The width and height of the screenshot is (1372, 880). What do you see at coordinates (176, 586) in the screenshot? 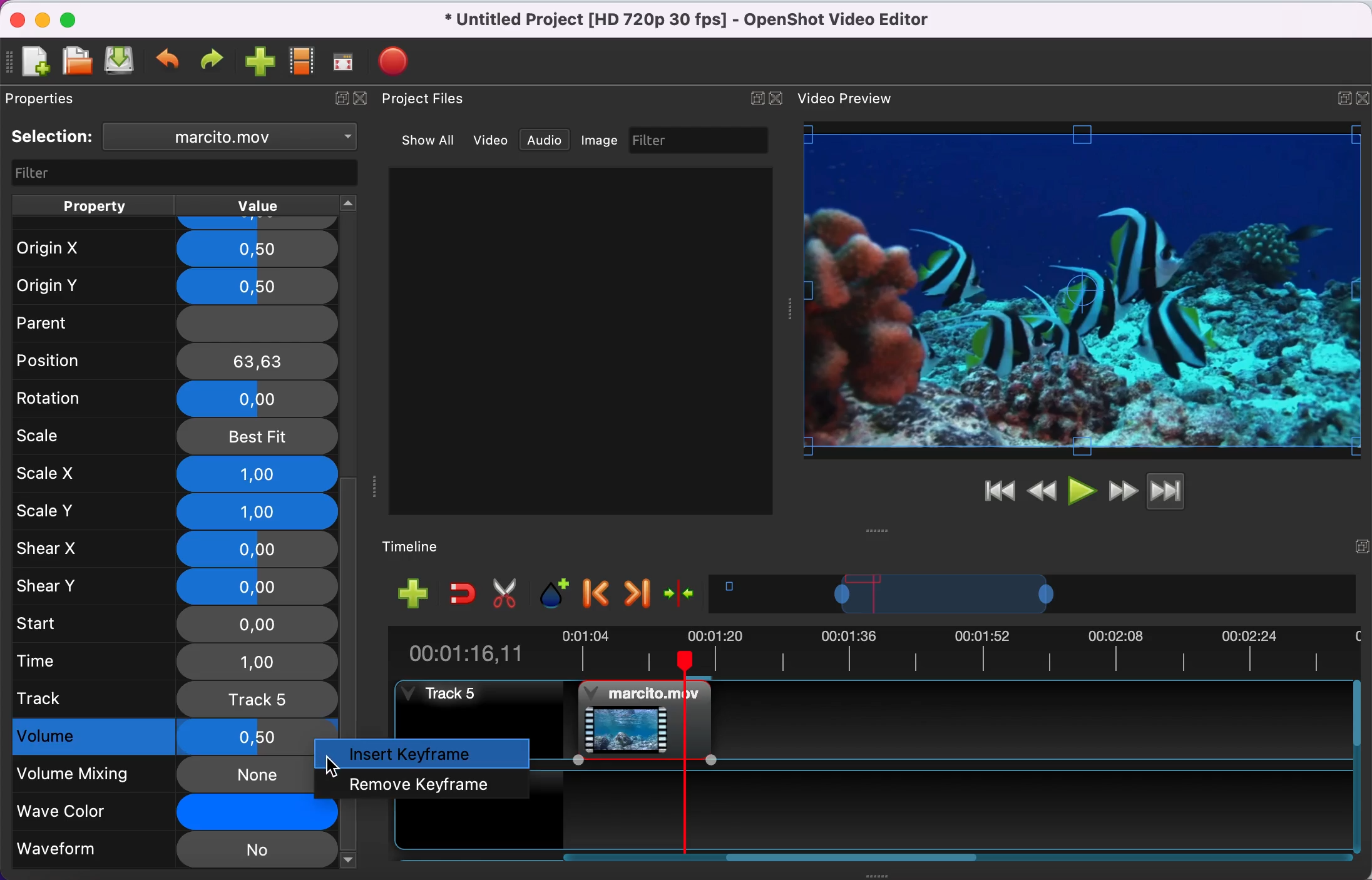
I see `shear y 0` at bounding box center [176, 586].